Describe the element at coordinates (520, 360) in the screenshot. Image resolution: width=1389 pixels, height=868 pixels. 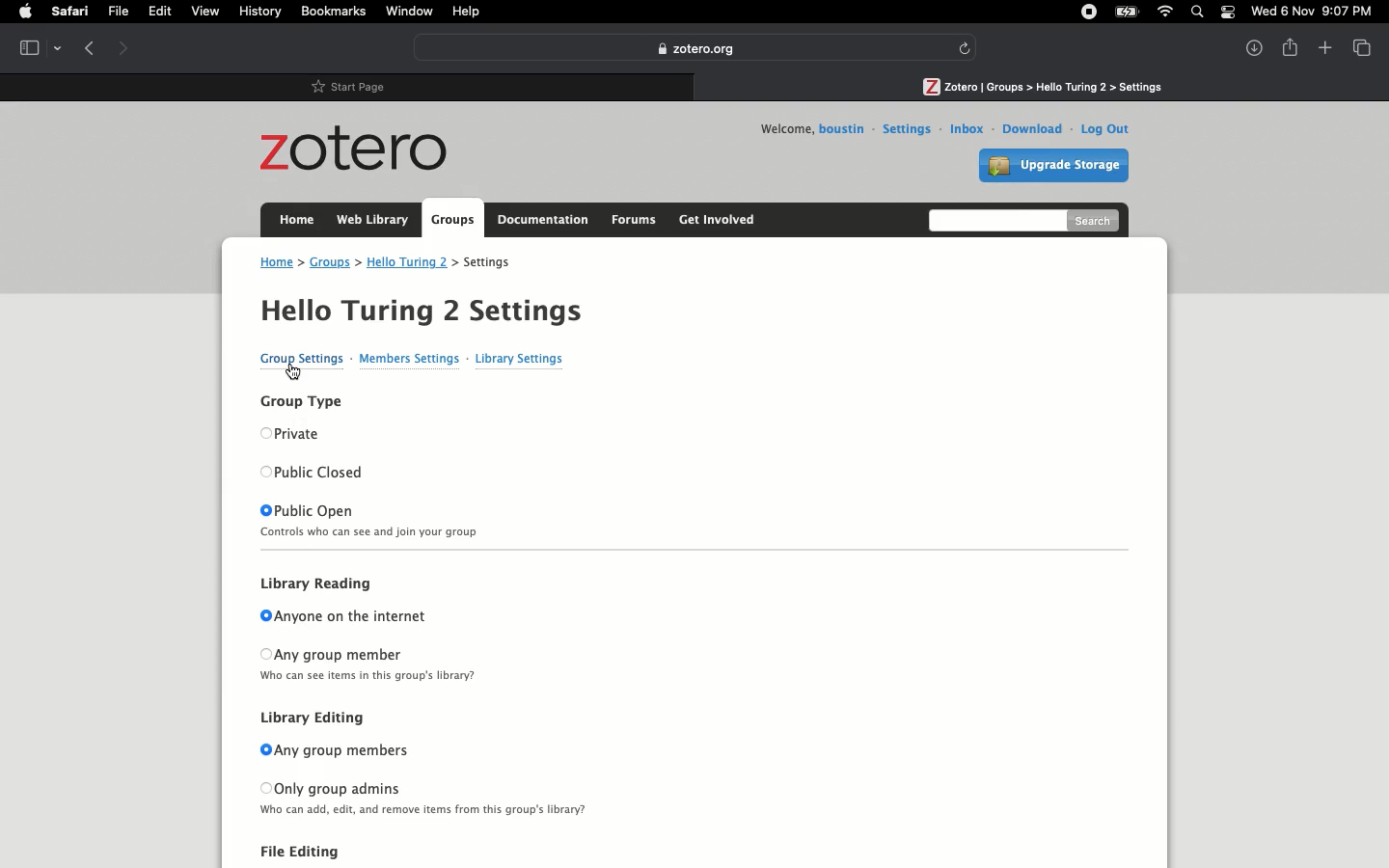
I see `Library settings` at that location.